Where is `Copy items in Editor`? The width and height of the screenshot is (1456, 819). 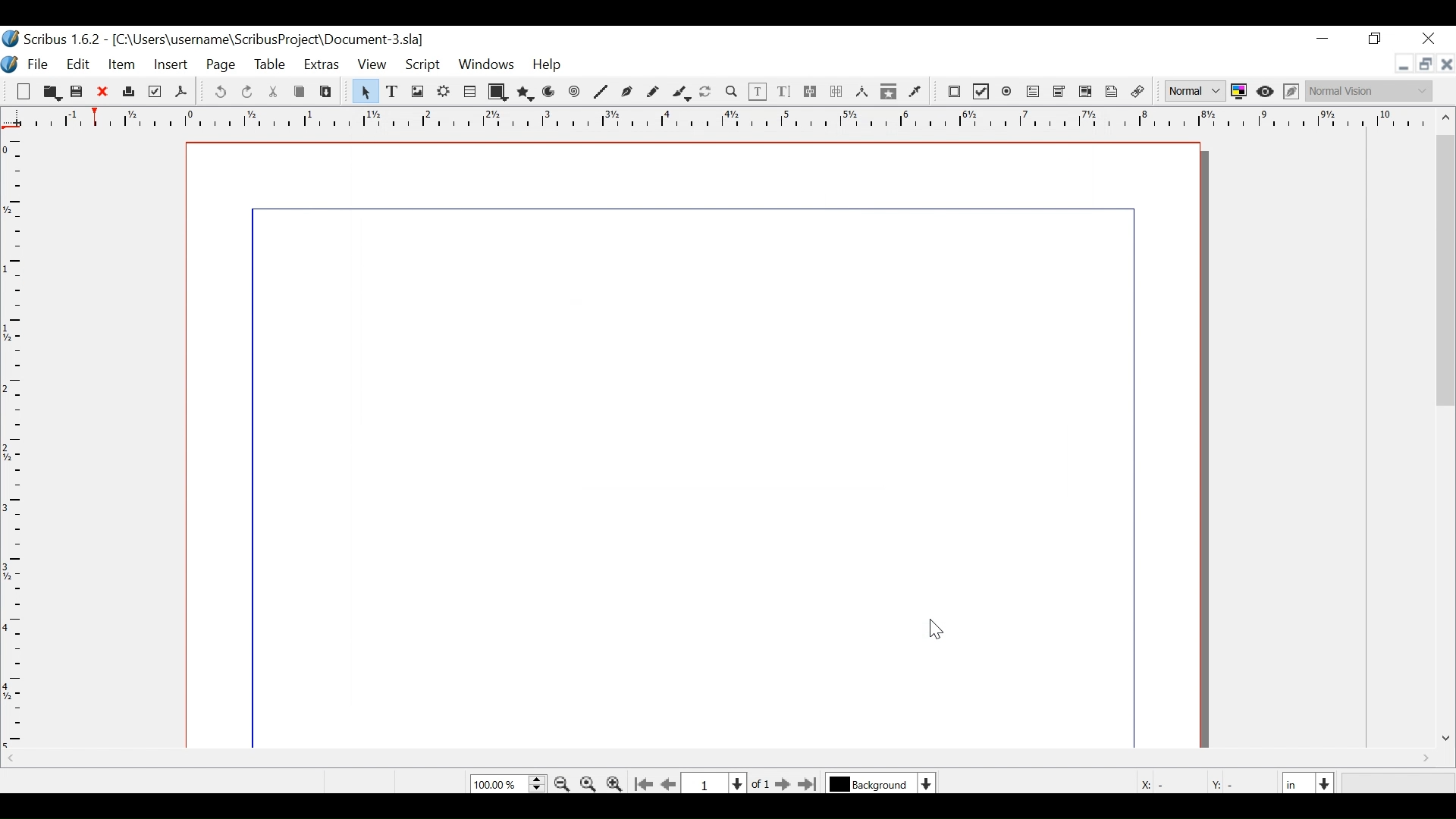 Copy items in Editor is located at coordinates (889, 93).